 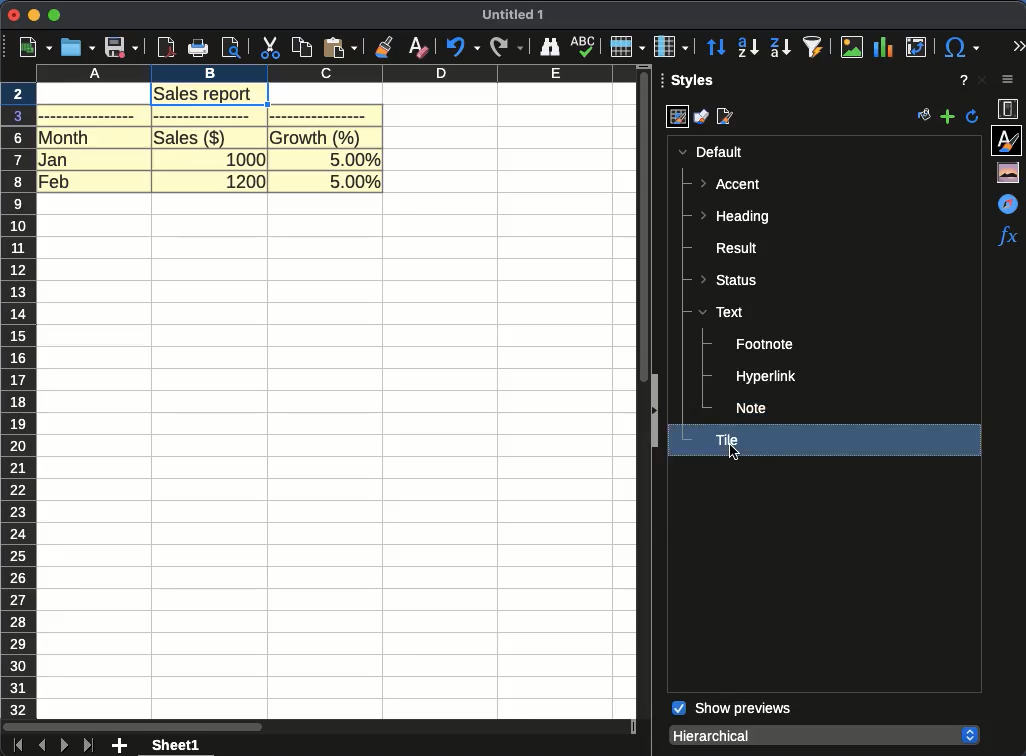 I want to click on text, so click(x=721, y=311).